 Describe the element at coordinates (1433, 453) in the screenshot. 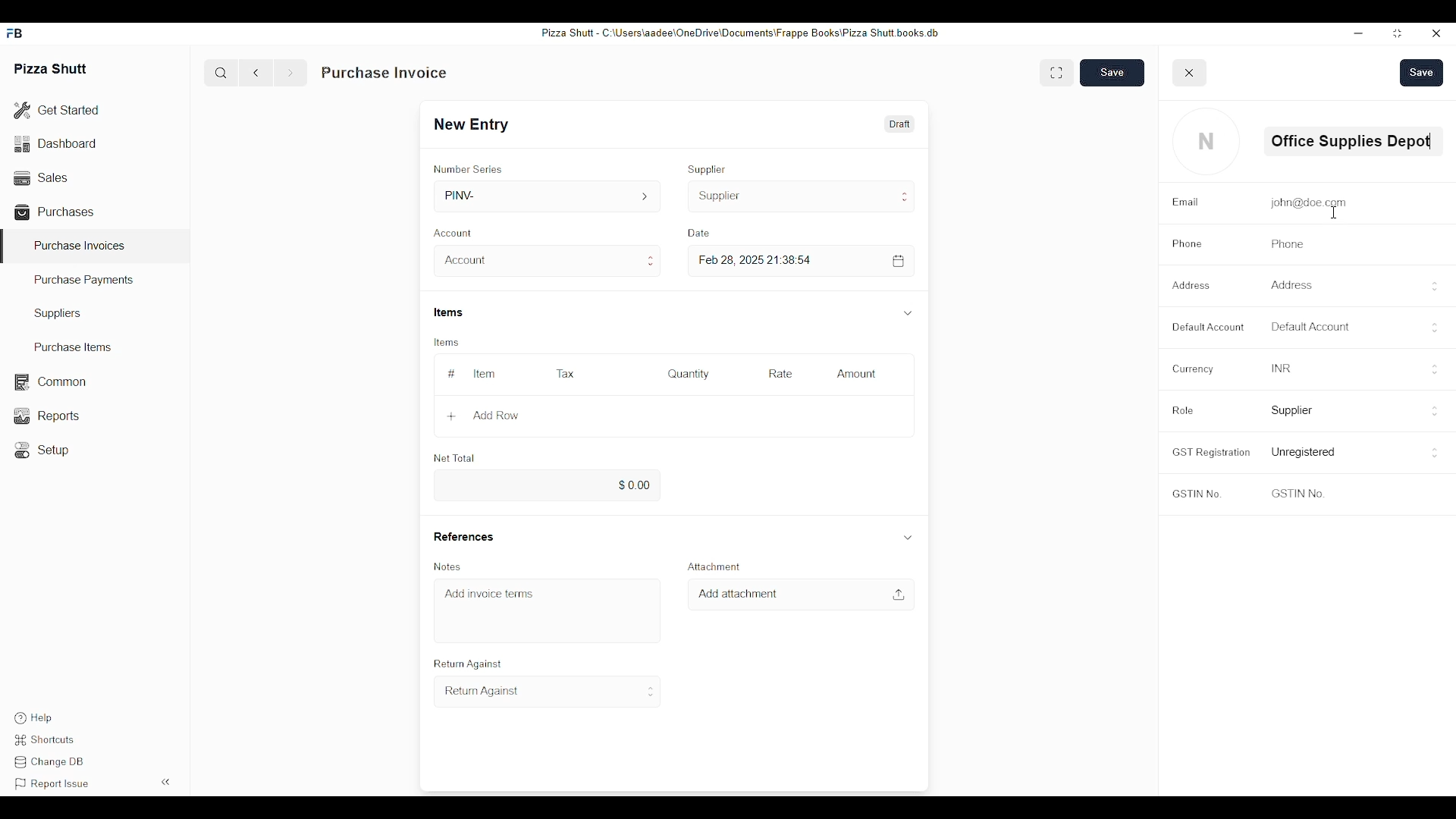

I see `buttons` at that location.